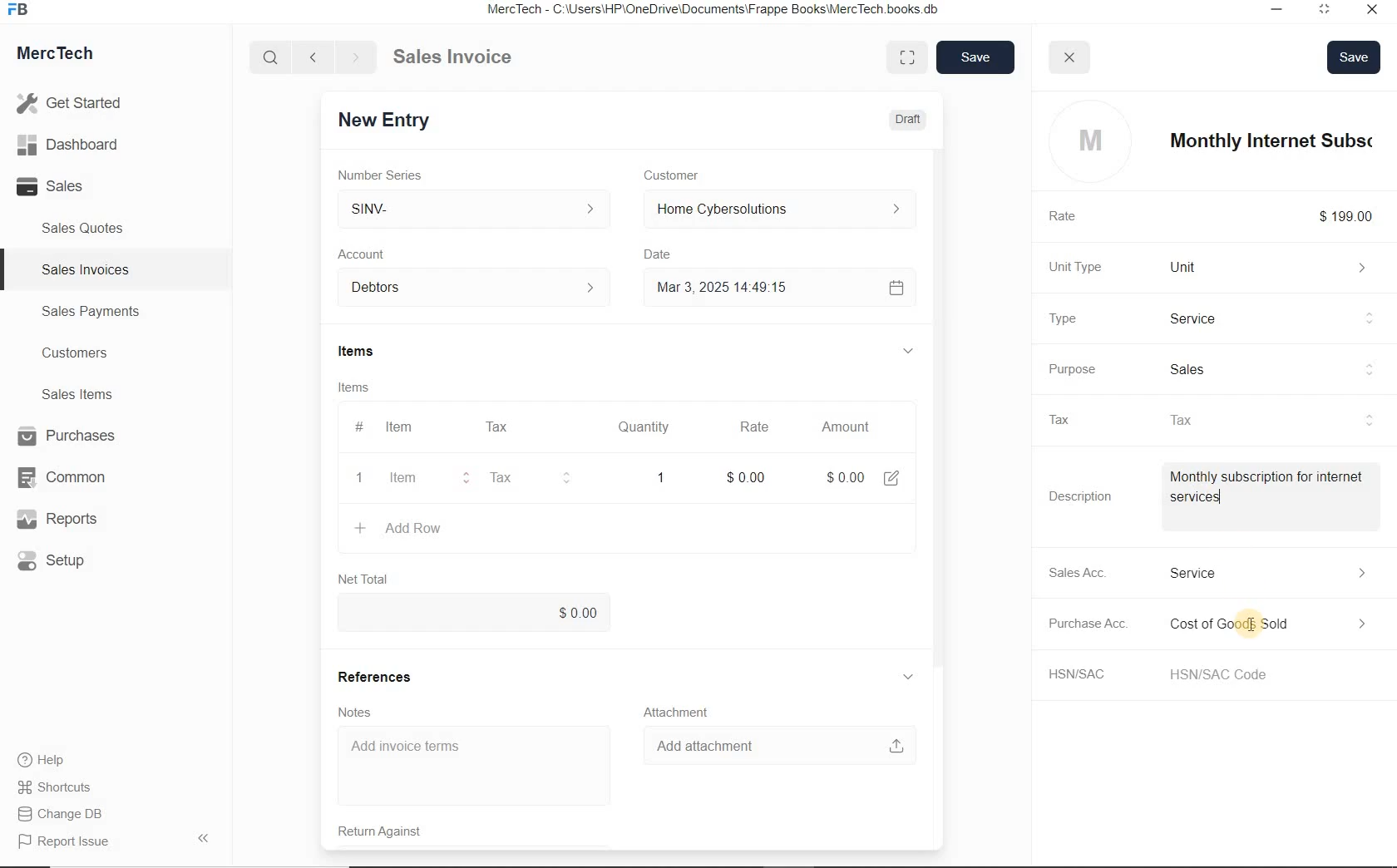  I want to click on MercTech, so click(63, 57).